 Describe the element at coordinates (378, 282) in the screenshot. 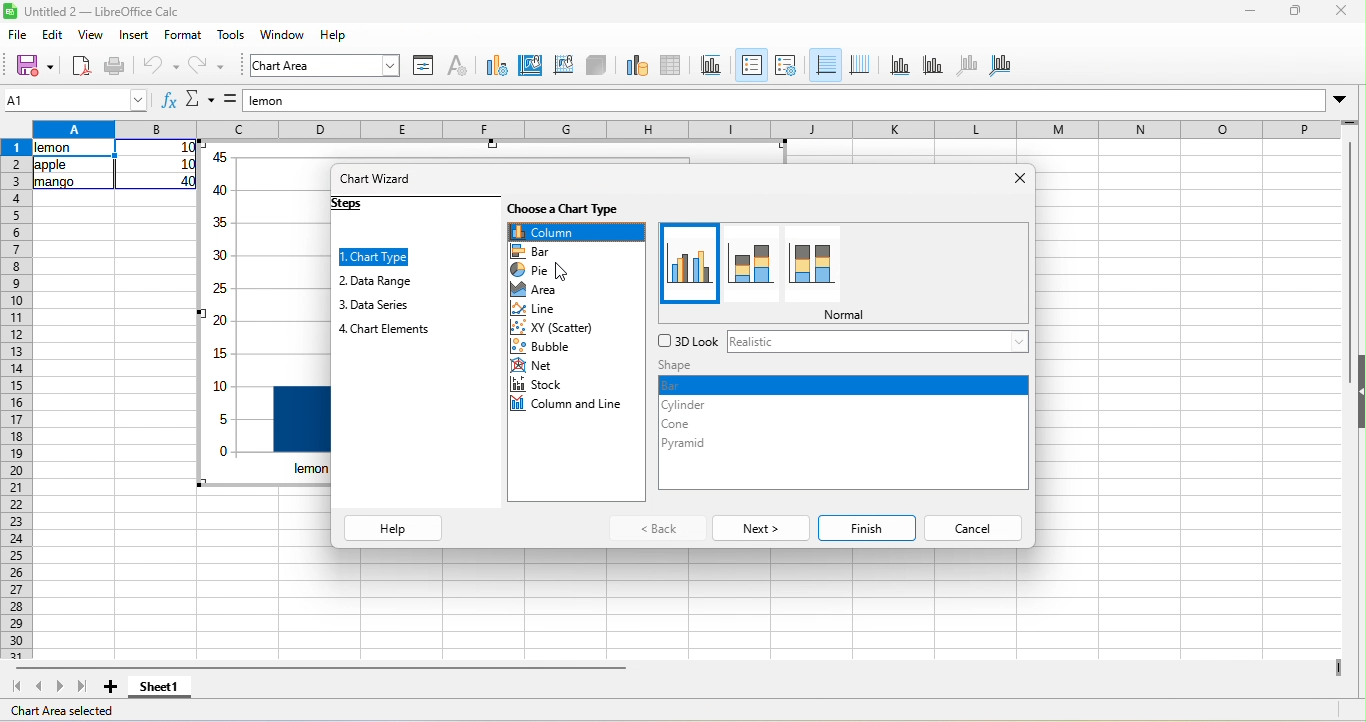

I see `data range` at that location.